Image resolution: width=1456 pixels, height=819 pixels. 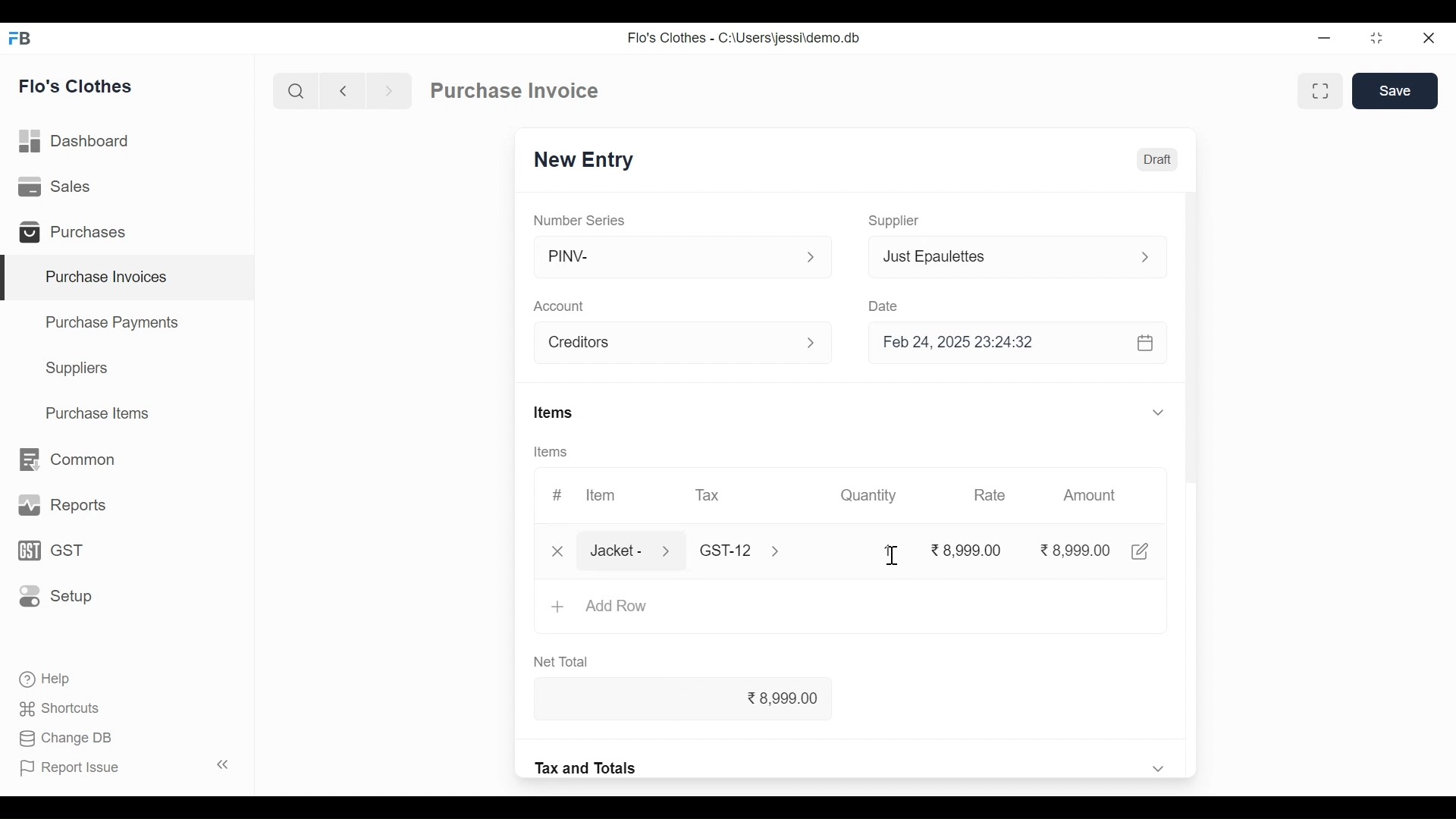 I want to click on Expand, so click(x=817, y=344).